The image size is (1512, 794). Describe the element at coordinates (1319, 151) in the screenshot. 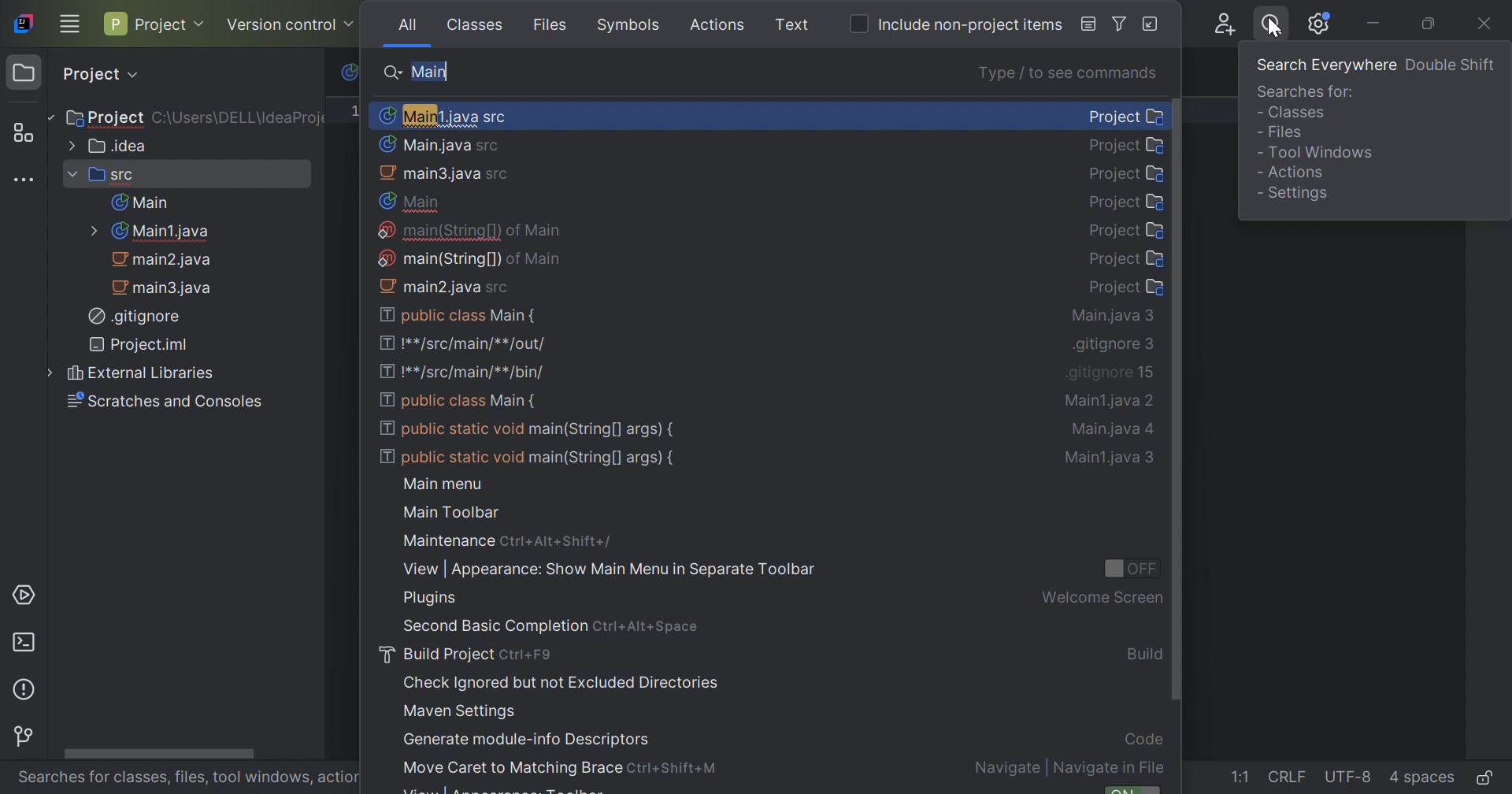

I see `Tool Windows` at that location.